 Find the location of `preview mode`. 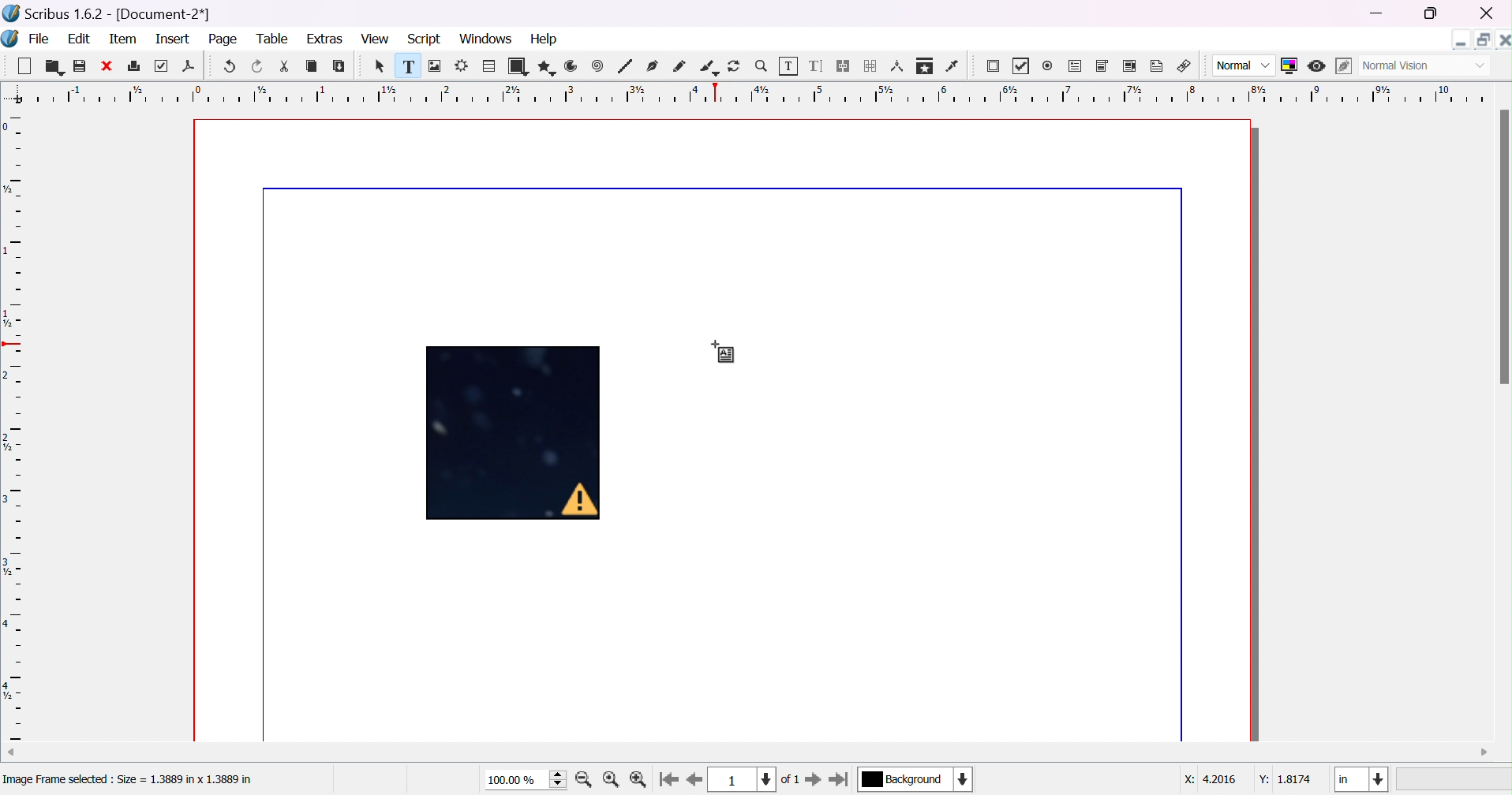

preview mode is located at coordinates (1319, 66).